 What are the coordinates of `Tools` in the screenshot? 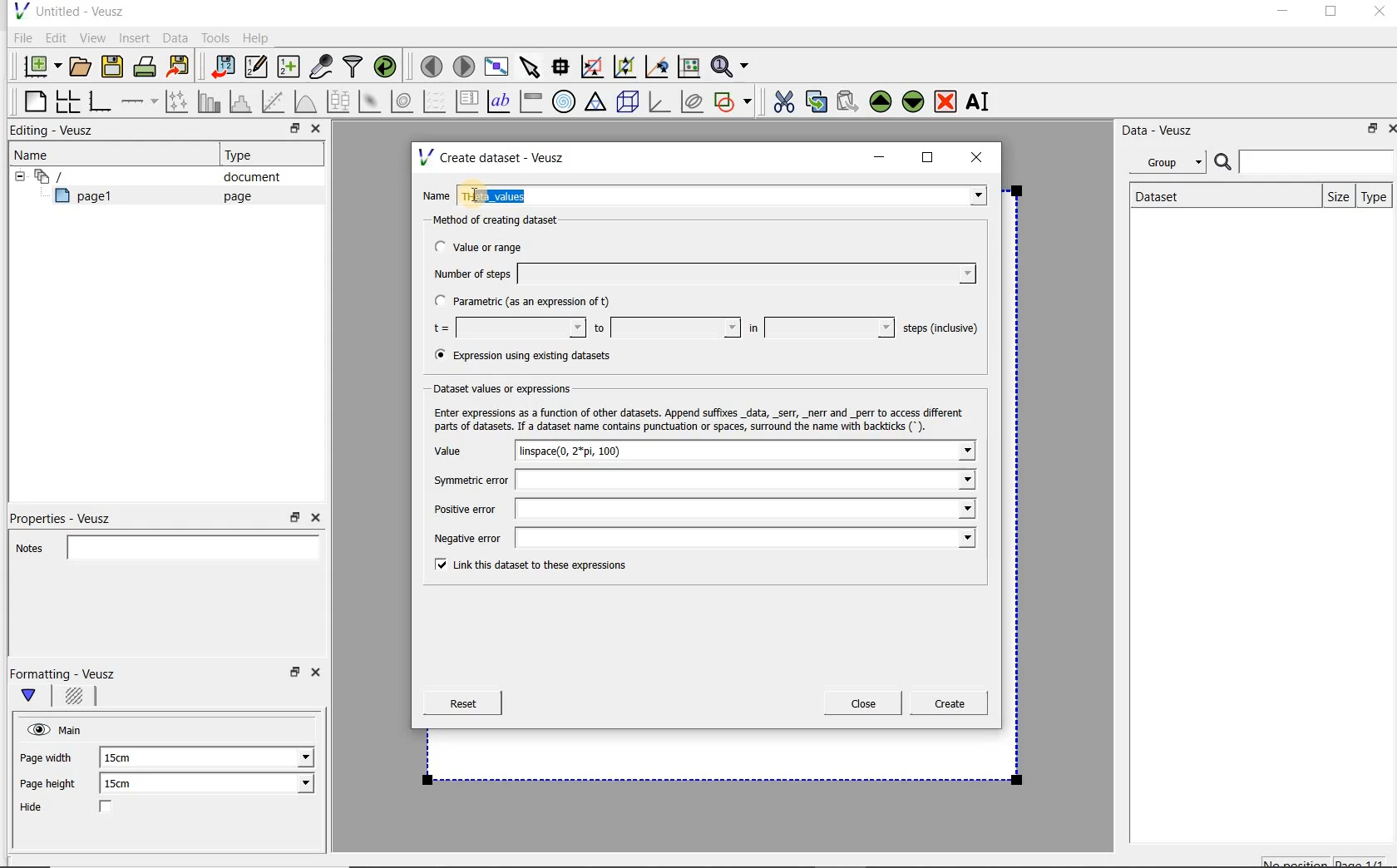 It's located at (214, 38).